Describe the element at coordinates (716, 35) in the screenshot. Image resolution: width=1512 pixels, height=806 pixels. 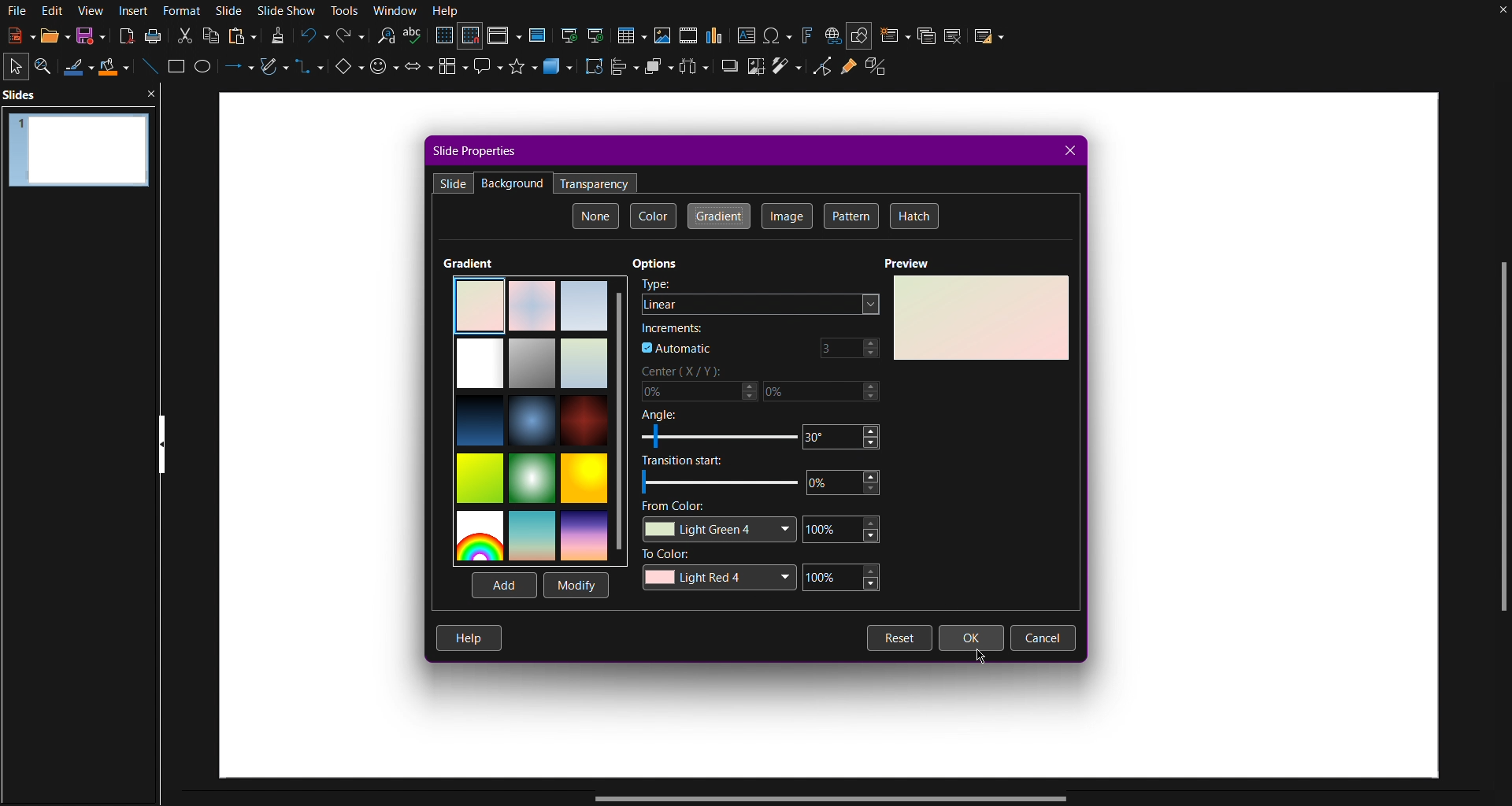
I see `Insert graph` at that location.